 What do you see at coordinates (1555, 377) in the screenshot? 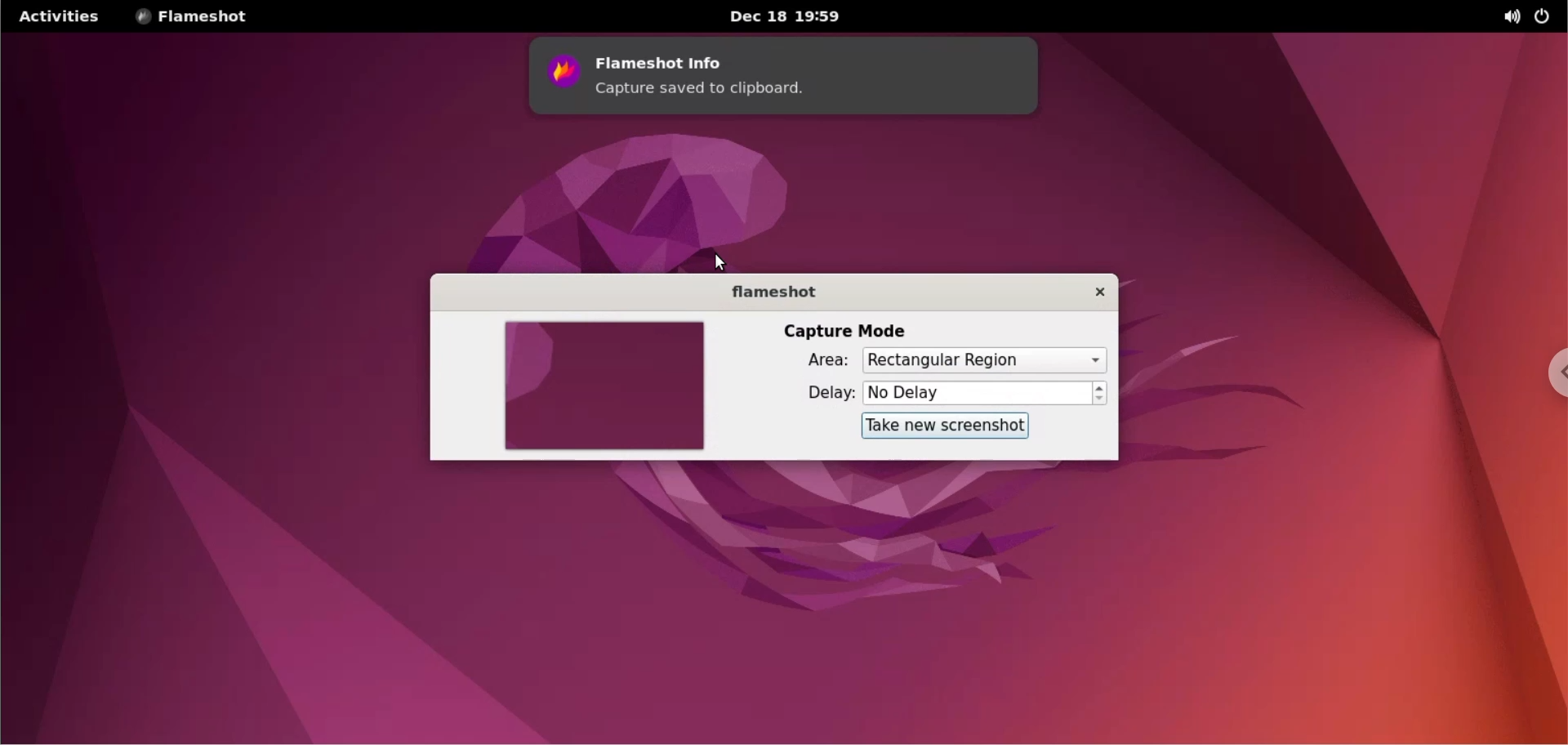
I see `chrome options` at bounding box center [1555, 377].